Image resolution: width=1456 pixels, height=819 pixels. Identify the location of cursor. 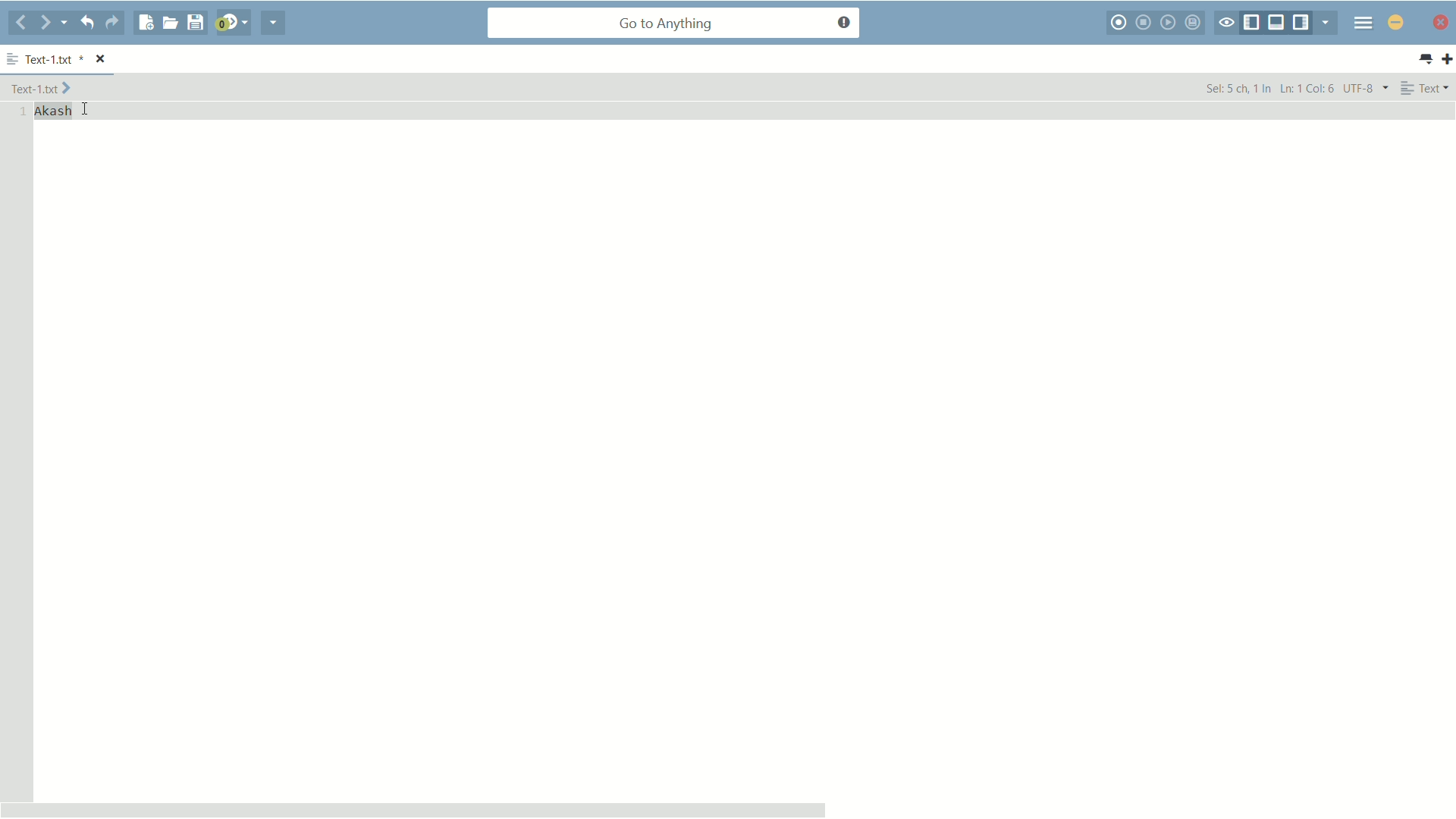
(84, 108).